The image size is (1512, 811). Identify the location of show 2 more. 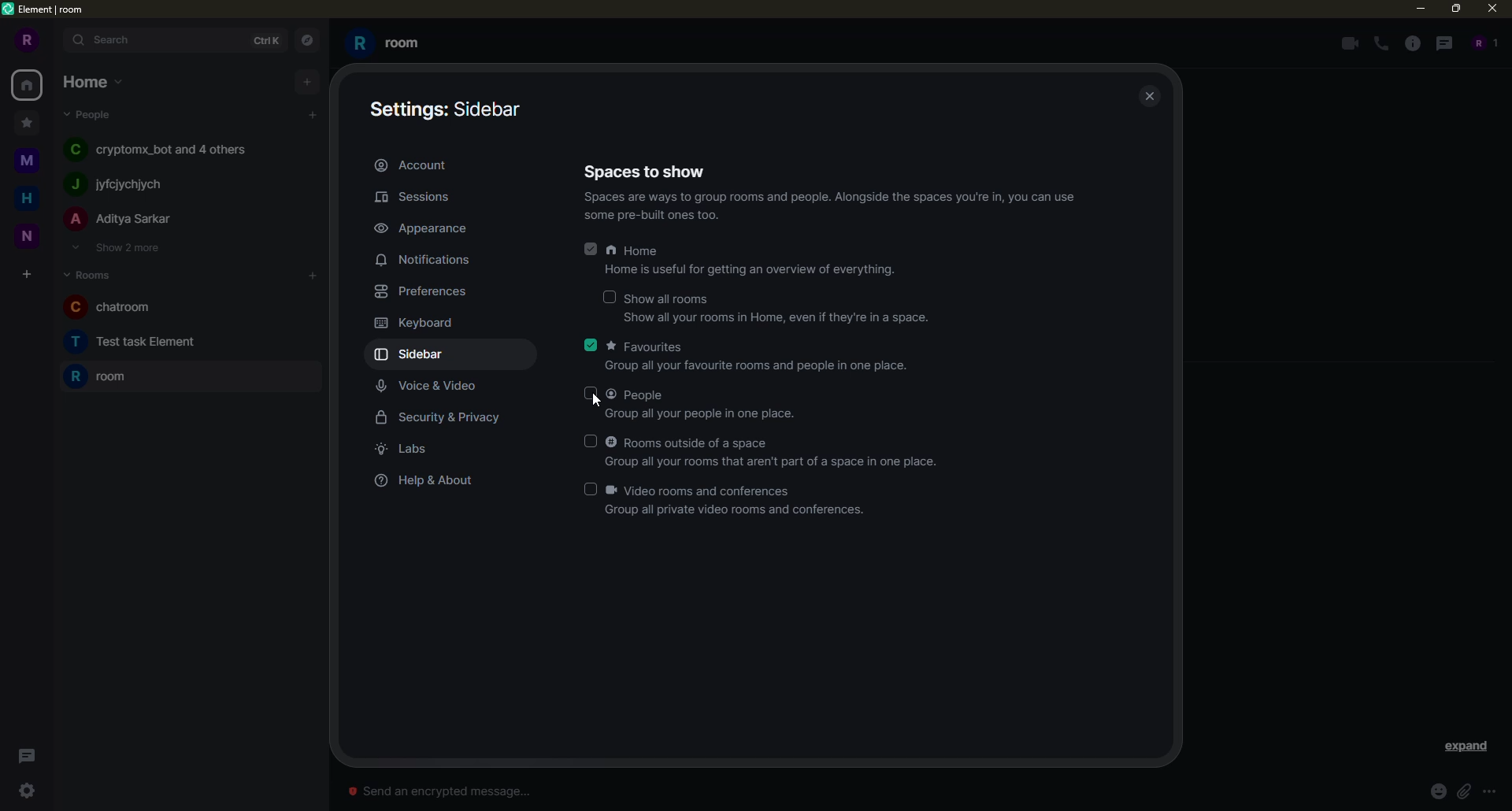
(120, 249).